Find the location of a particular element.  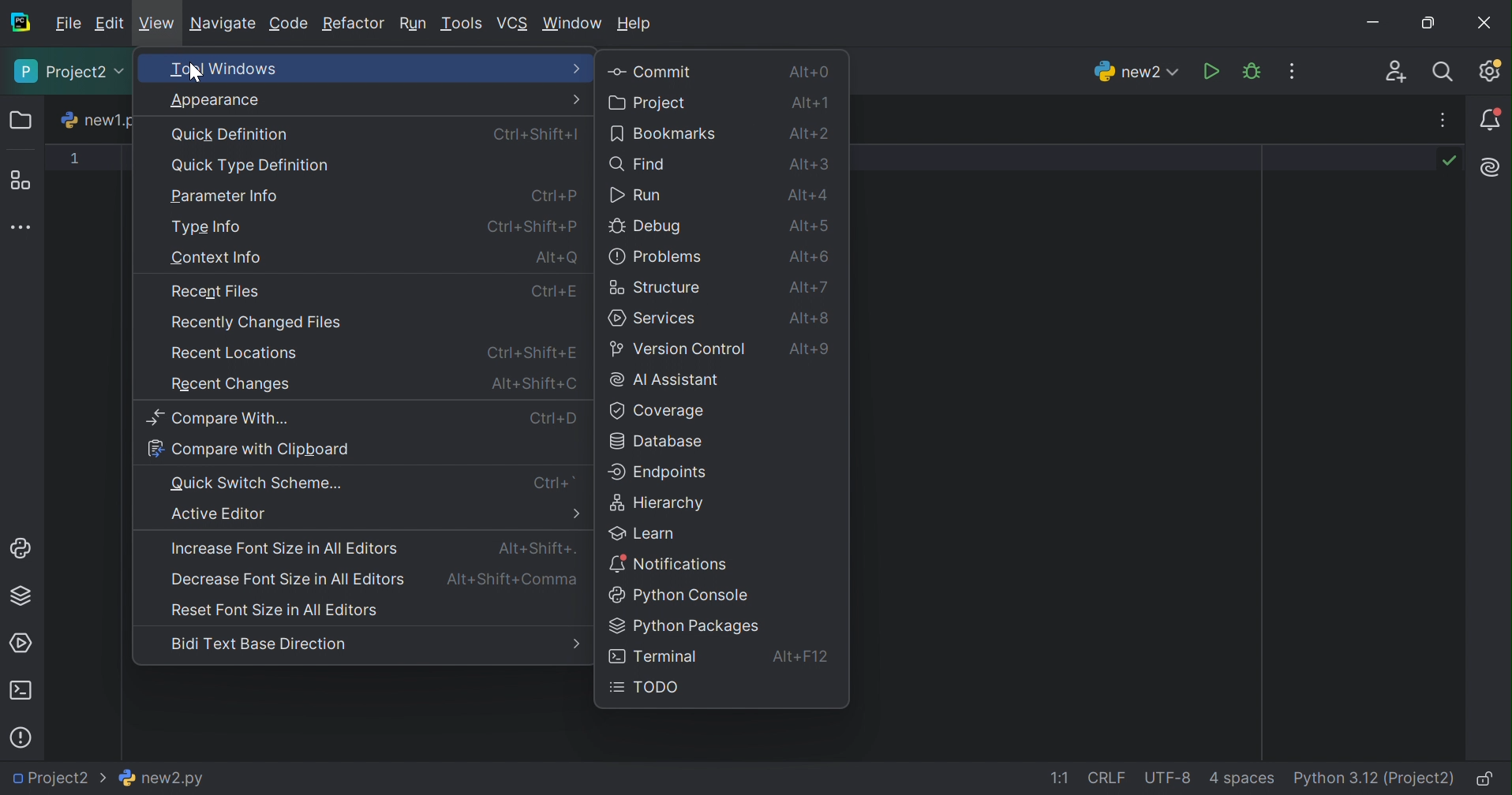

Context info is located at coordinates (218, 256).